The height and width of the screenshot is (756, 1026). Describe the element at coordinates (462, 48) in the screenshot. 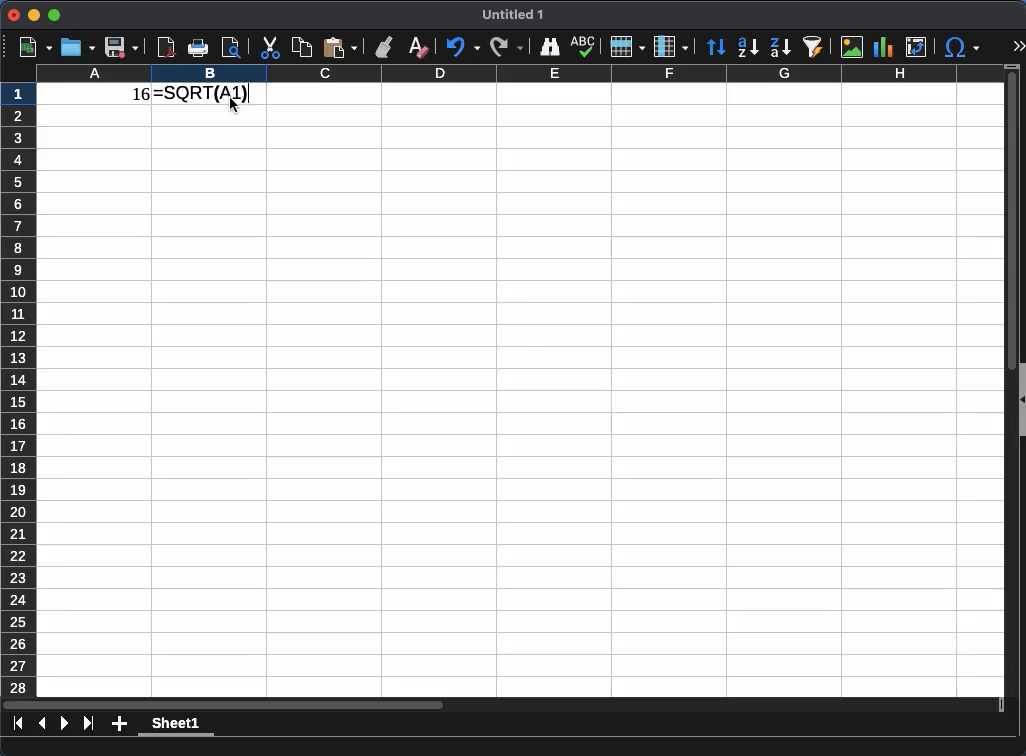

I see `undo` at that location.